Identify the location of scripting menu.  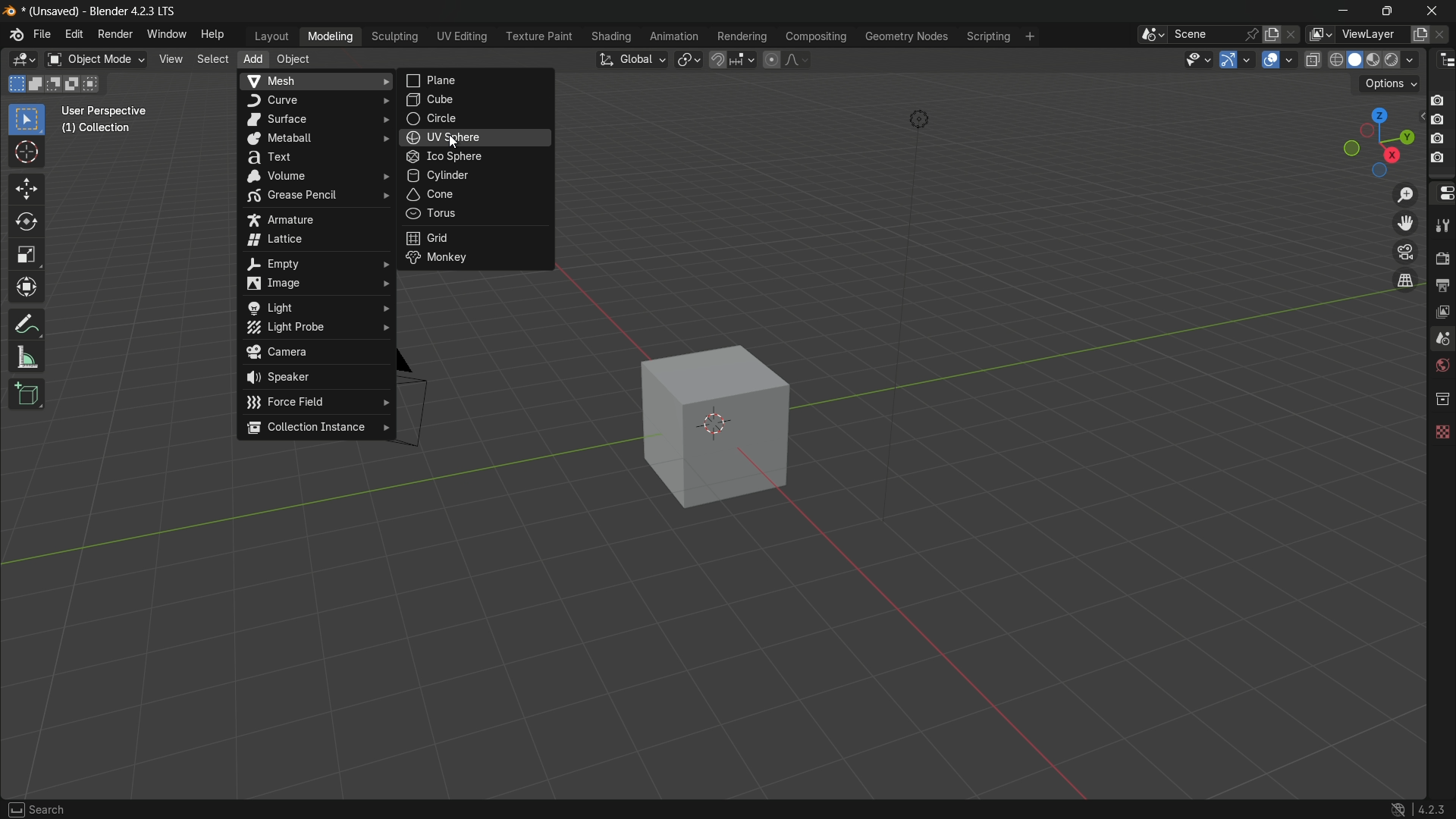
(987, 36).